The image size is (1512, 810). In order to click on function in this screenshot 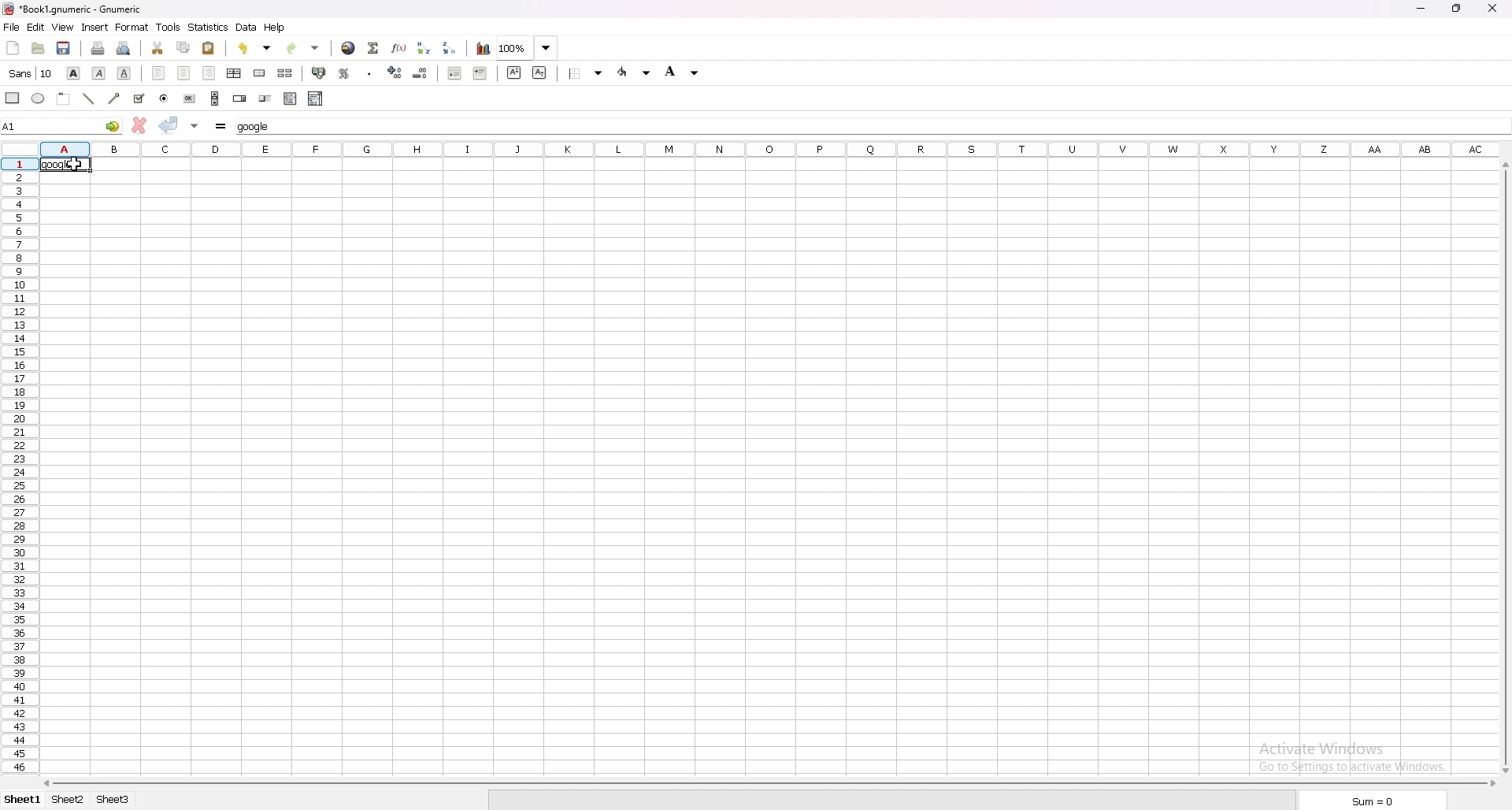, I will do `click(398, 48)`.